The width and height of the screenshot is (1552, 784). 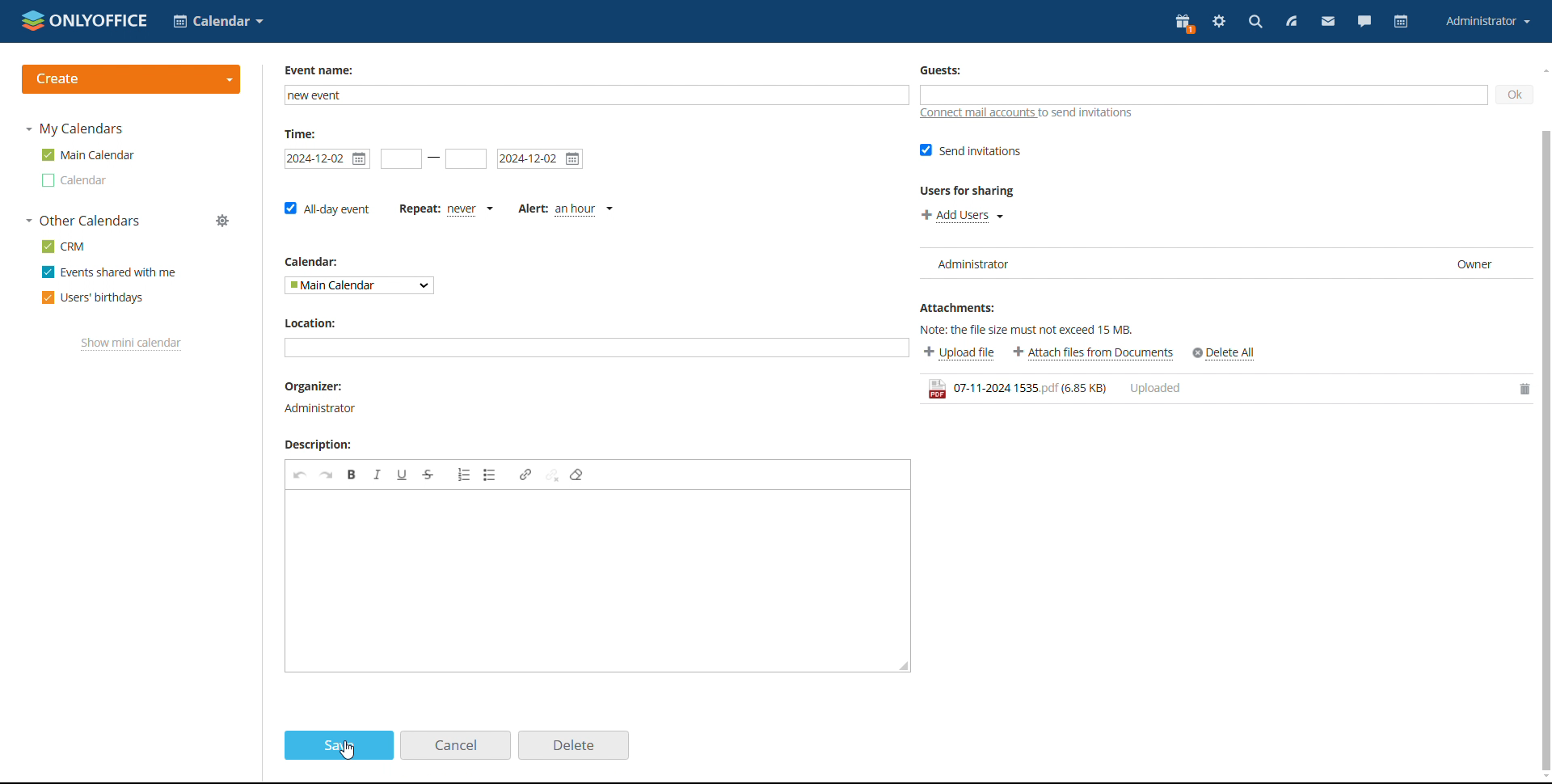 I want to click on other calendar, so click(x=72, y=180).